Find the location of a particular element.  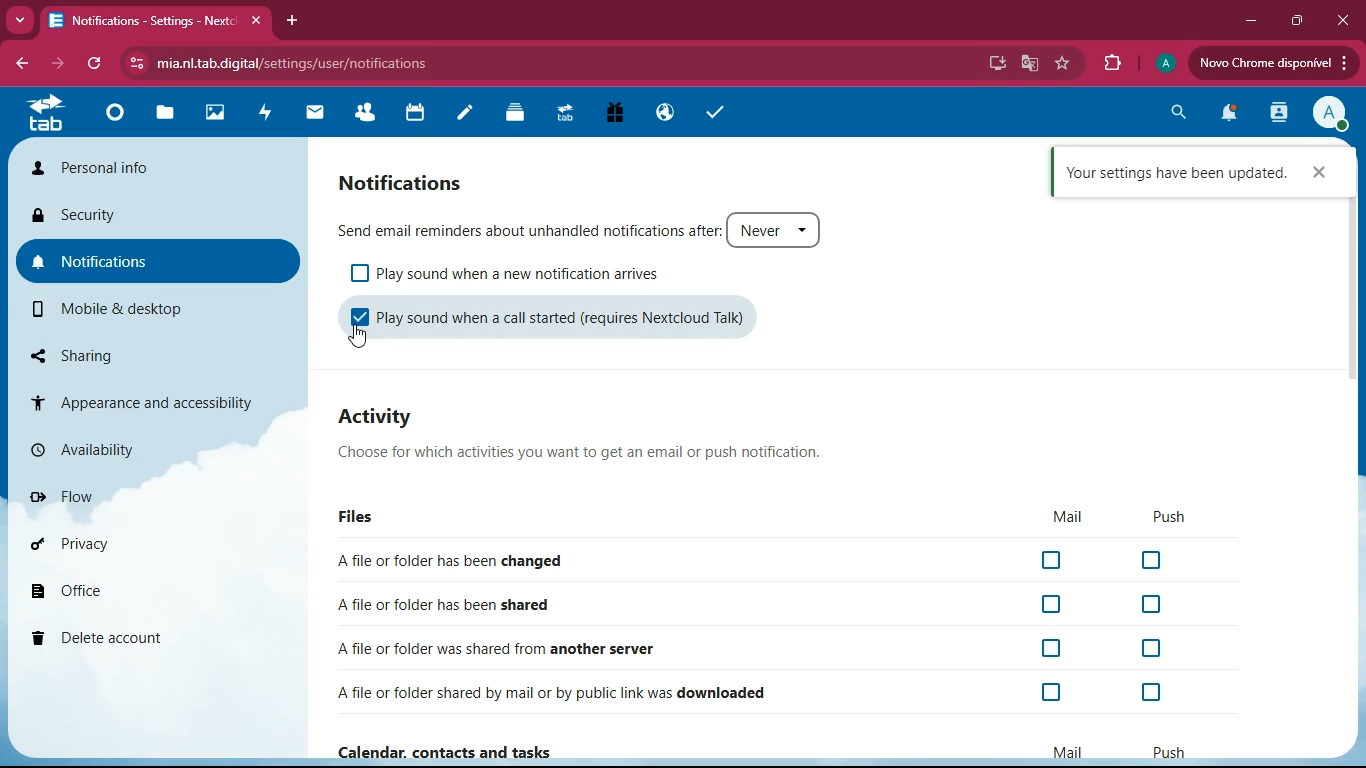

update is located at coordinates (1273, 63).